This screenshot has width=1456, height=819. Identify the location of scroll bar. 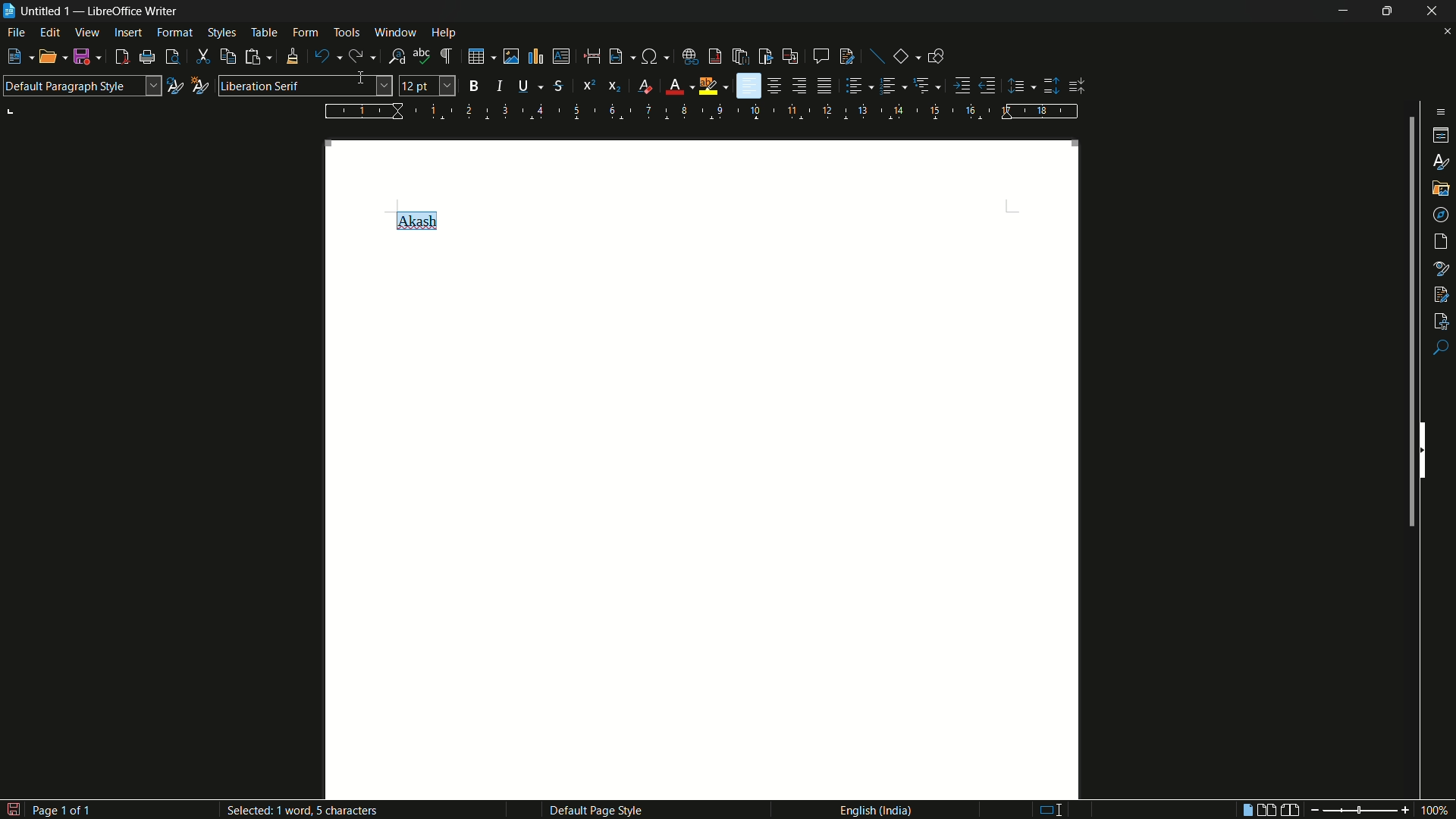
(1407, 325).